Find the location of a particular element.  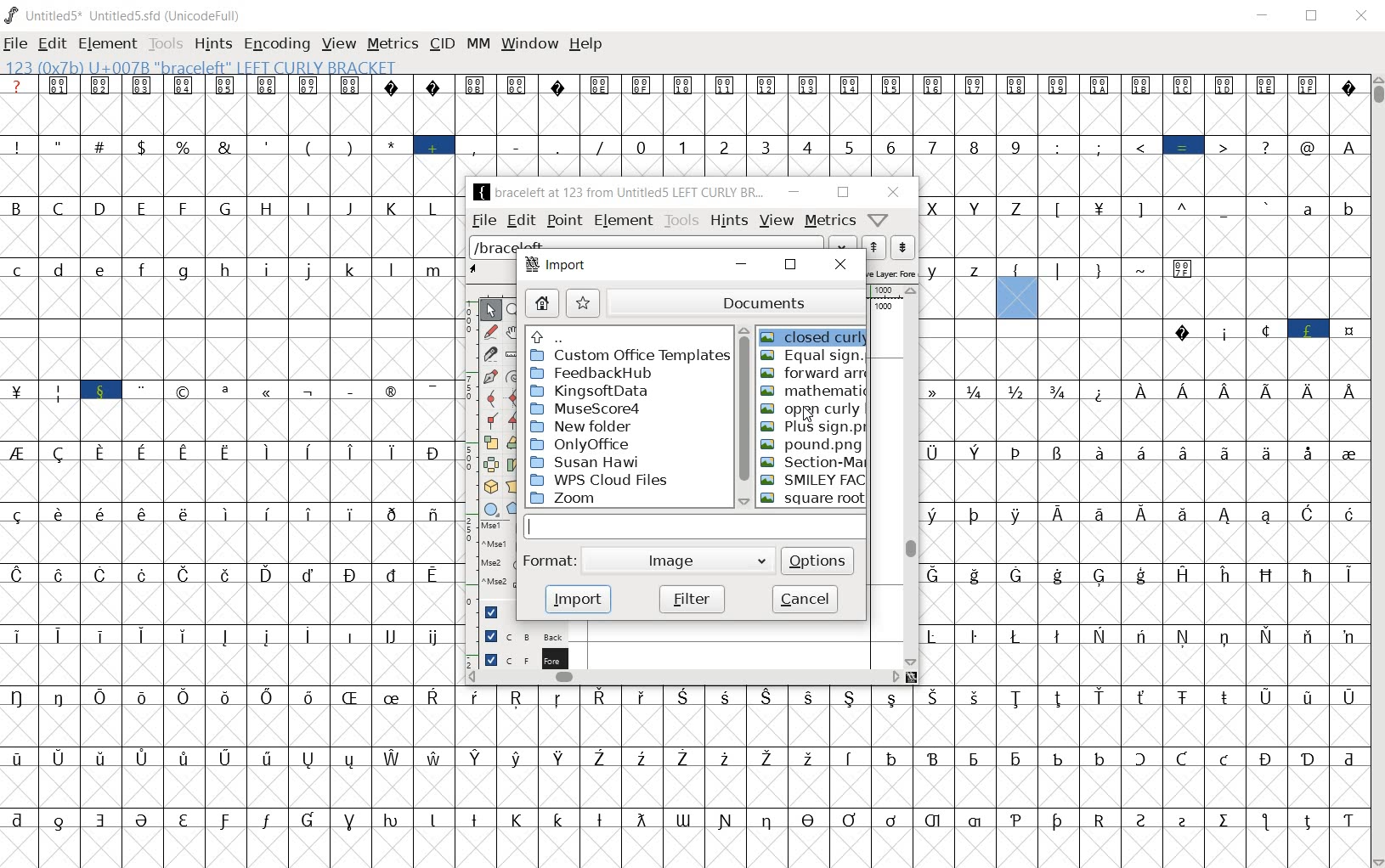

home is located at coordinates (541, 304).